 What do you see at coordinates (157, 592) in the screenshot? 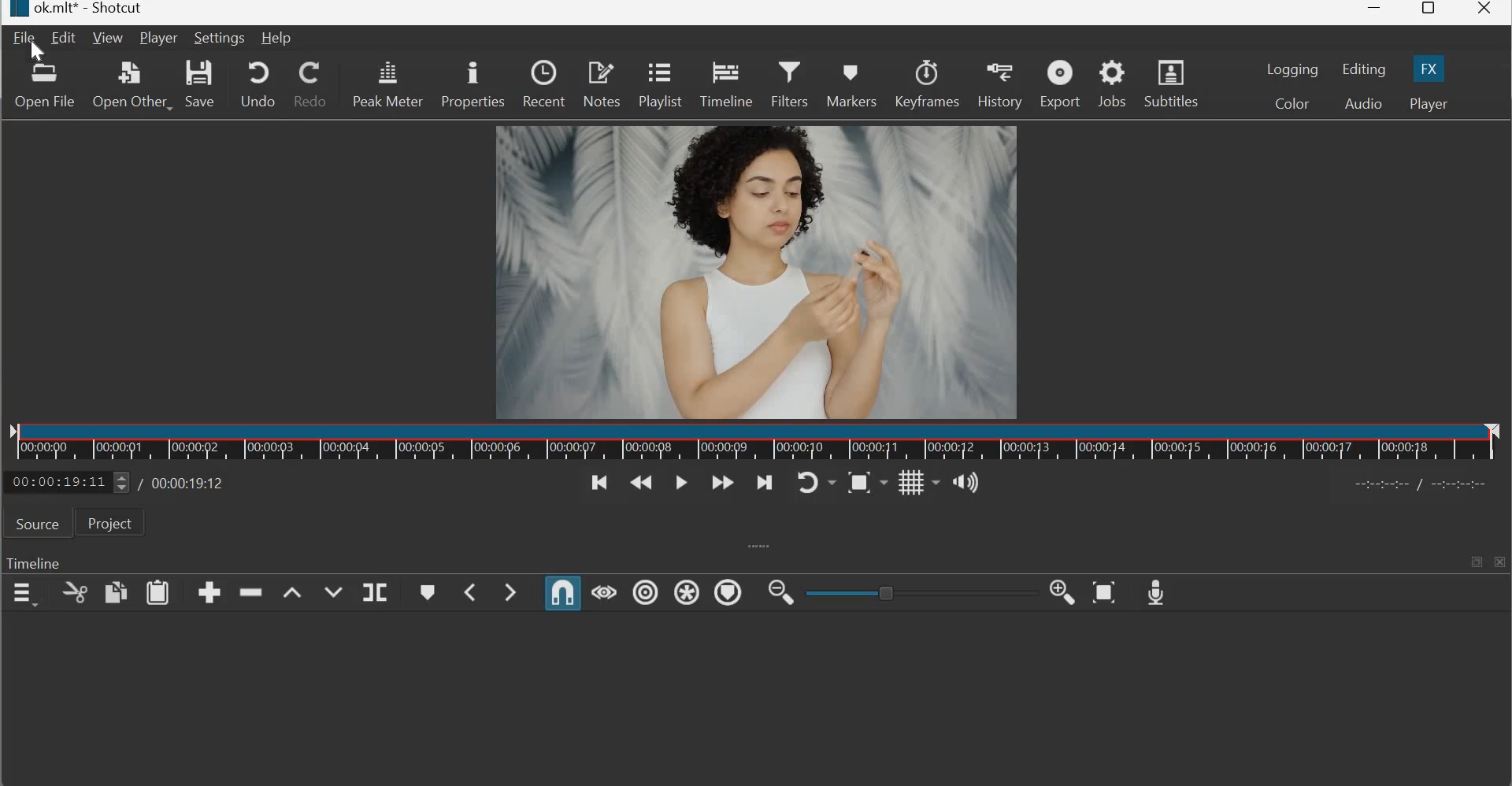
I see `paste` at bounding box center [157, 592].